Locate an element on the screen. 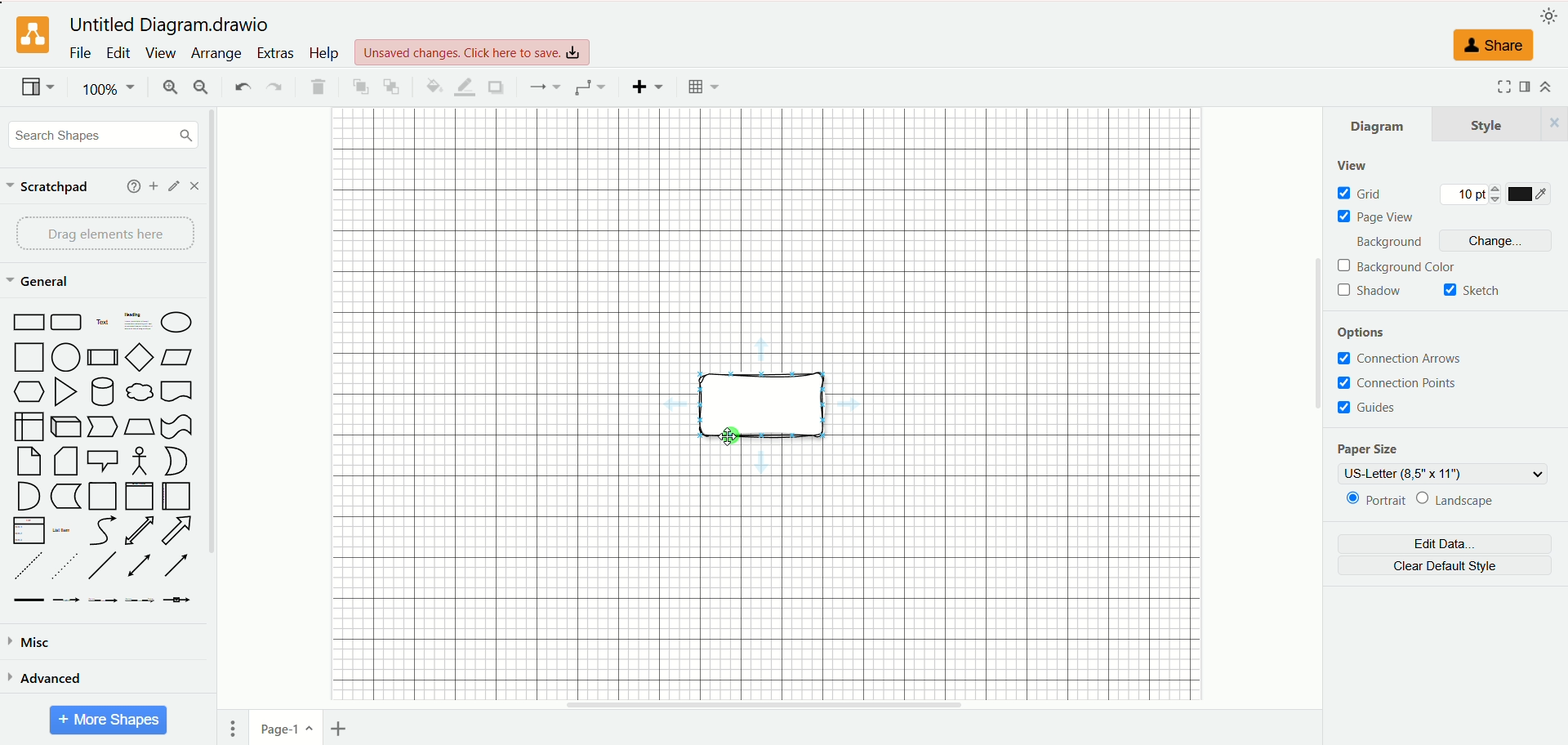  pages is located at coordinates (233, 729).